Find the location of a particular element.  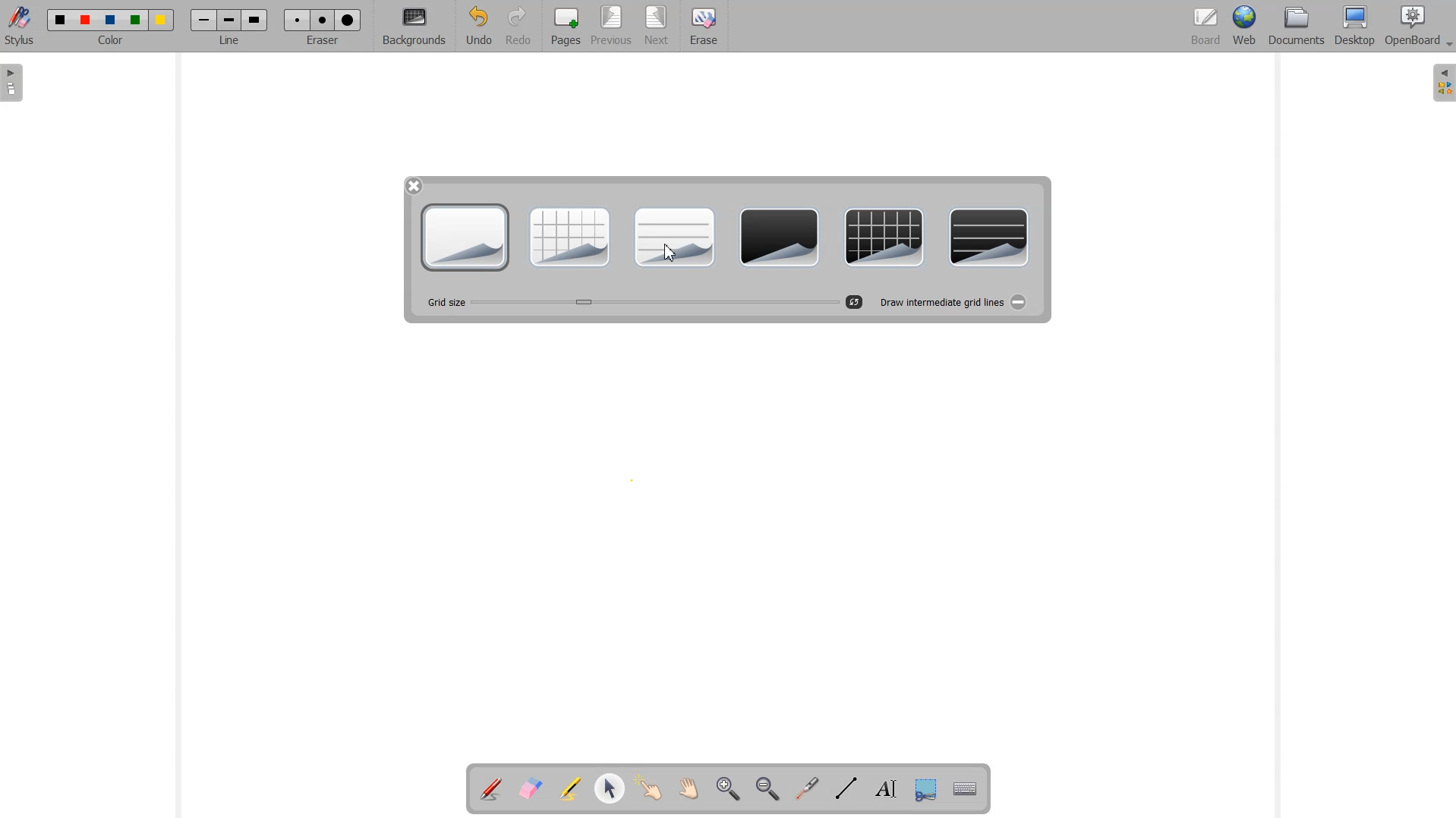

Annotate Document is located at coordinates (491, 789).